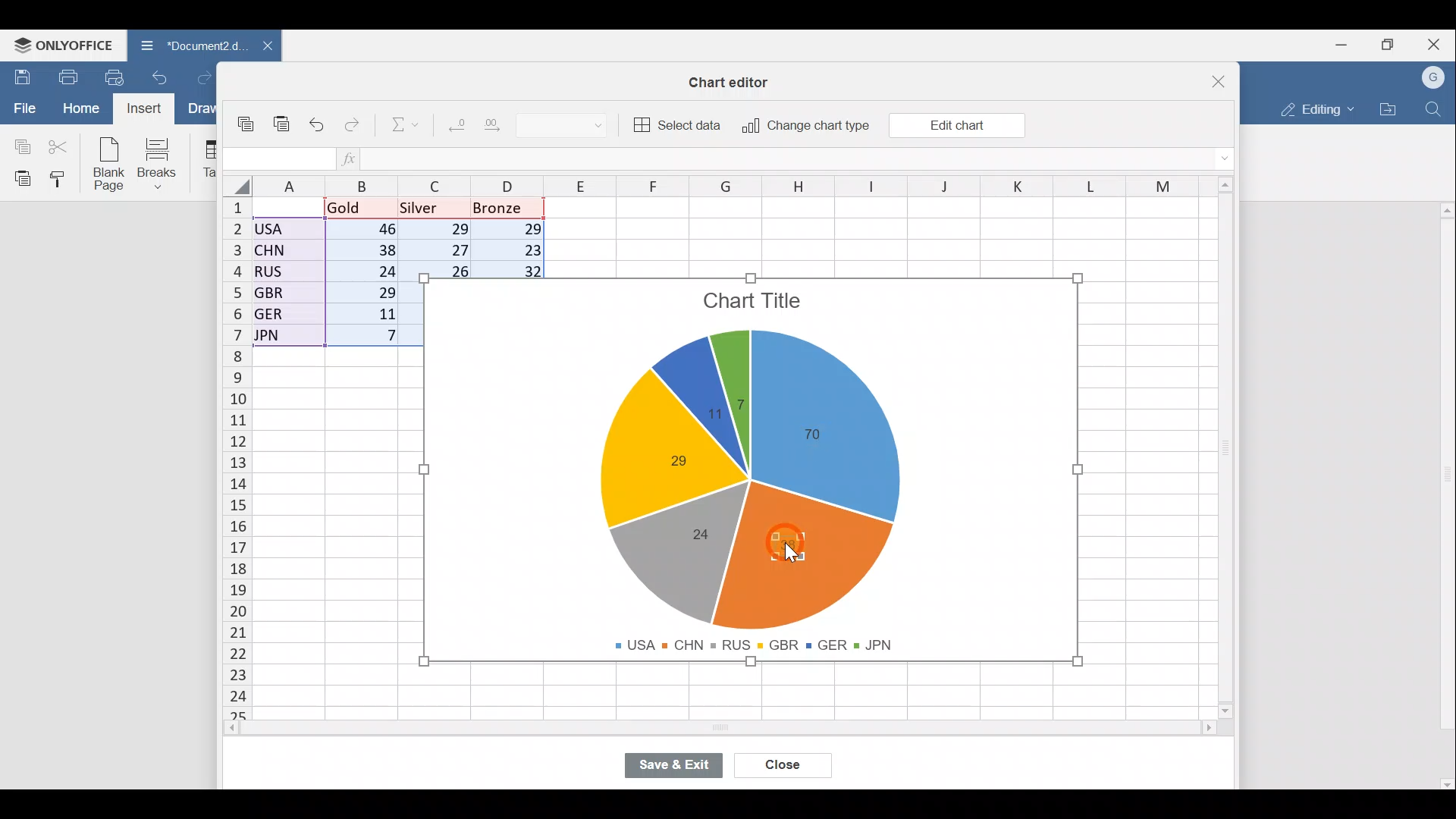 Image resolution: width=1456 pixels, height=819 pixels. Describe the element at coordinates (206, 110) in the screenshot. I see `Draw` at that location.